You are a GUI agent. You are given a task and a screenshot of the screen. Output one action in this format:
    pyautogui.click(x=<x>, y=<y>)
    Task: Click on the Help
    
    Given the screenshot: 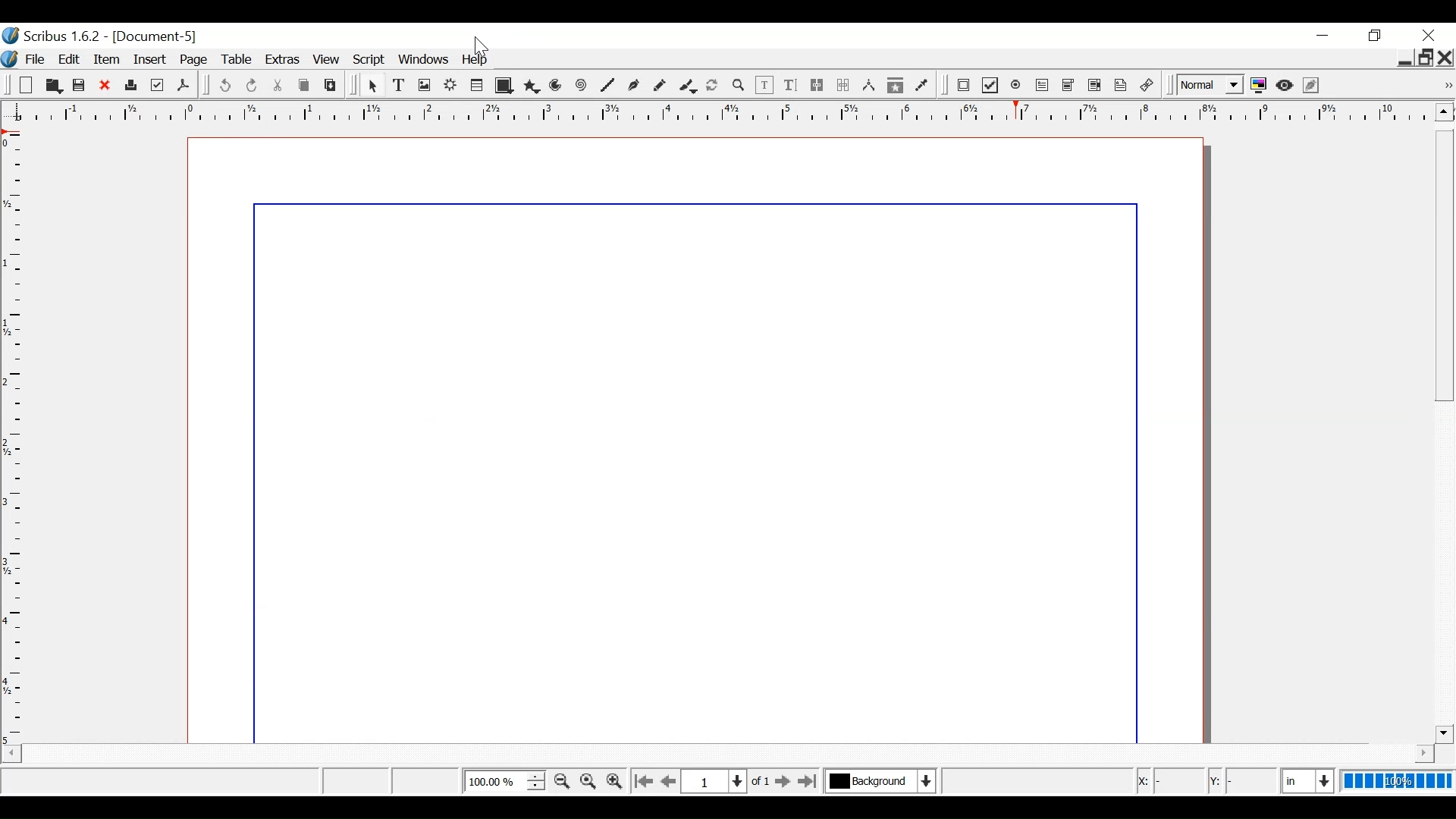 What is the action you would take?
    pyautogui.click(x=477, y=61)
    